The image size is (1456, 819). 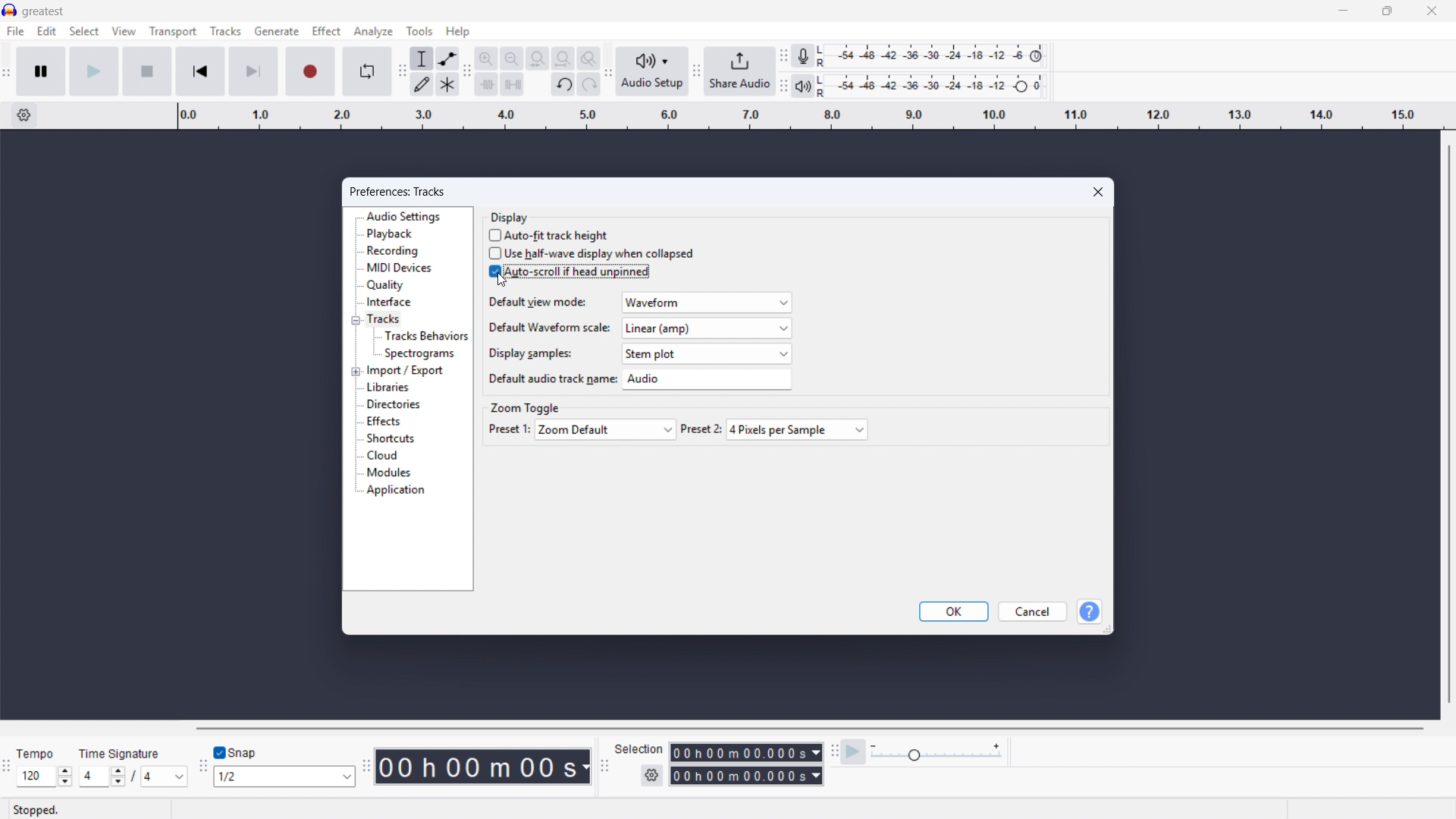 What do you see at coordinates (327, 31) in the screenshot?
I see `effect ` at bounding box center [327, 31].